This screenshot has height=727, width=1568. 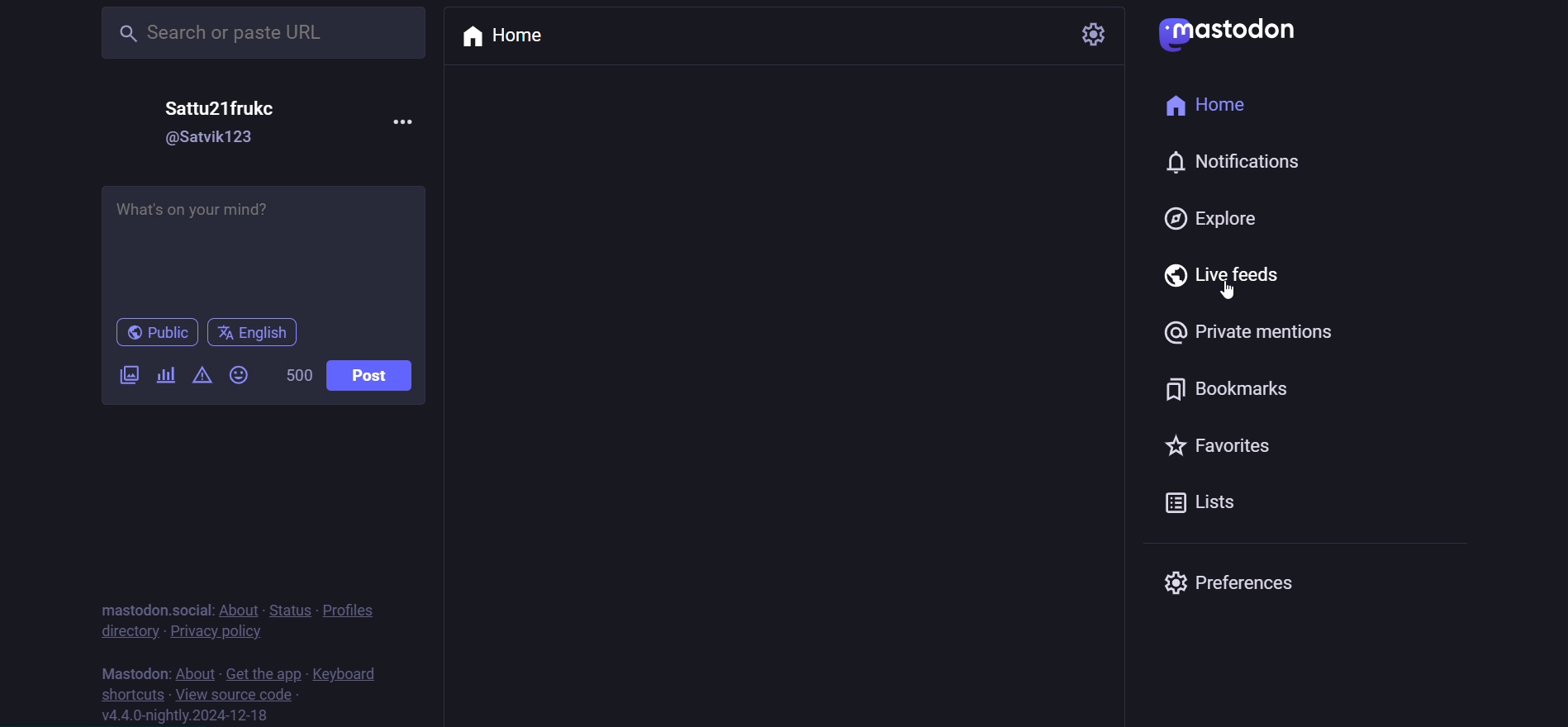 I want to click on public, so click(x=158, y=333).